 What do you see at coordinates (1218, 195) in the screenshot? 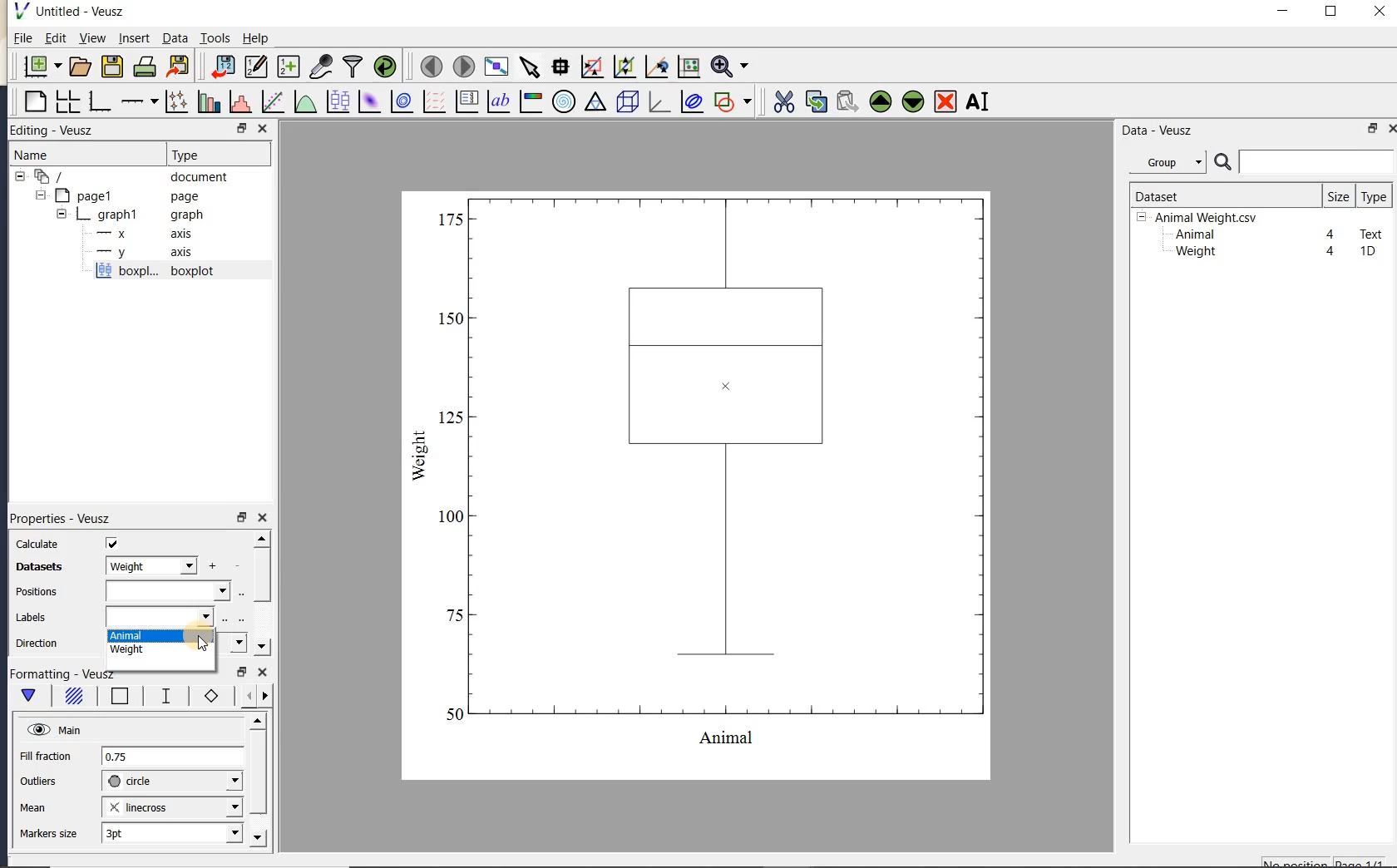
I see `Dataset` at bounding box center [1218, 195].